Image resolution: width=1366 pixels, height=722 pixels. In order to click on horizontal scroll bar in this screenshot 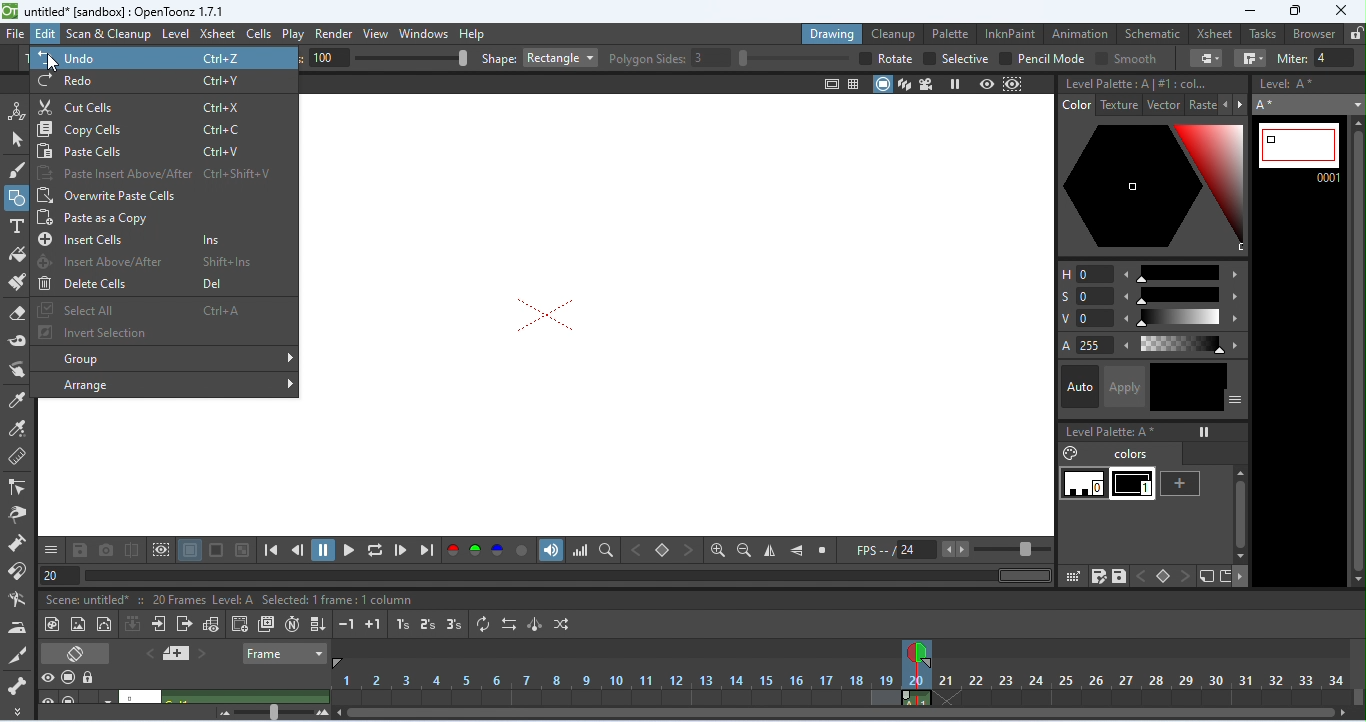, I will do `click(845, 713)`.